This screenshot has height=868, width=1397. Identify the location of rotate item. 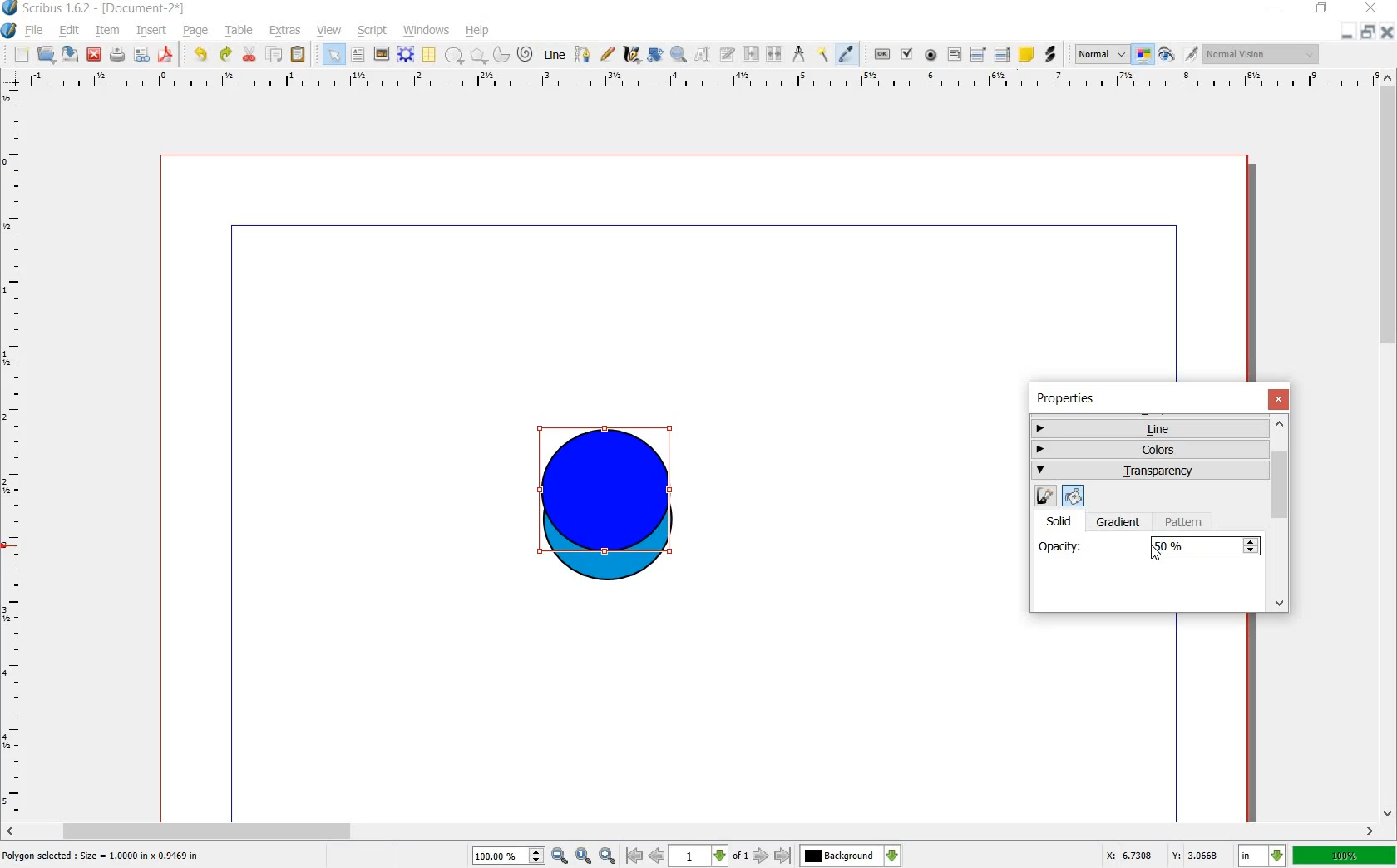
(655, 55).